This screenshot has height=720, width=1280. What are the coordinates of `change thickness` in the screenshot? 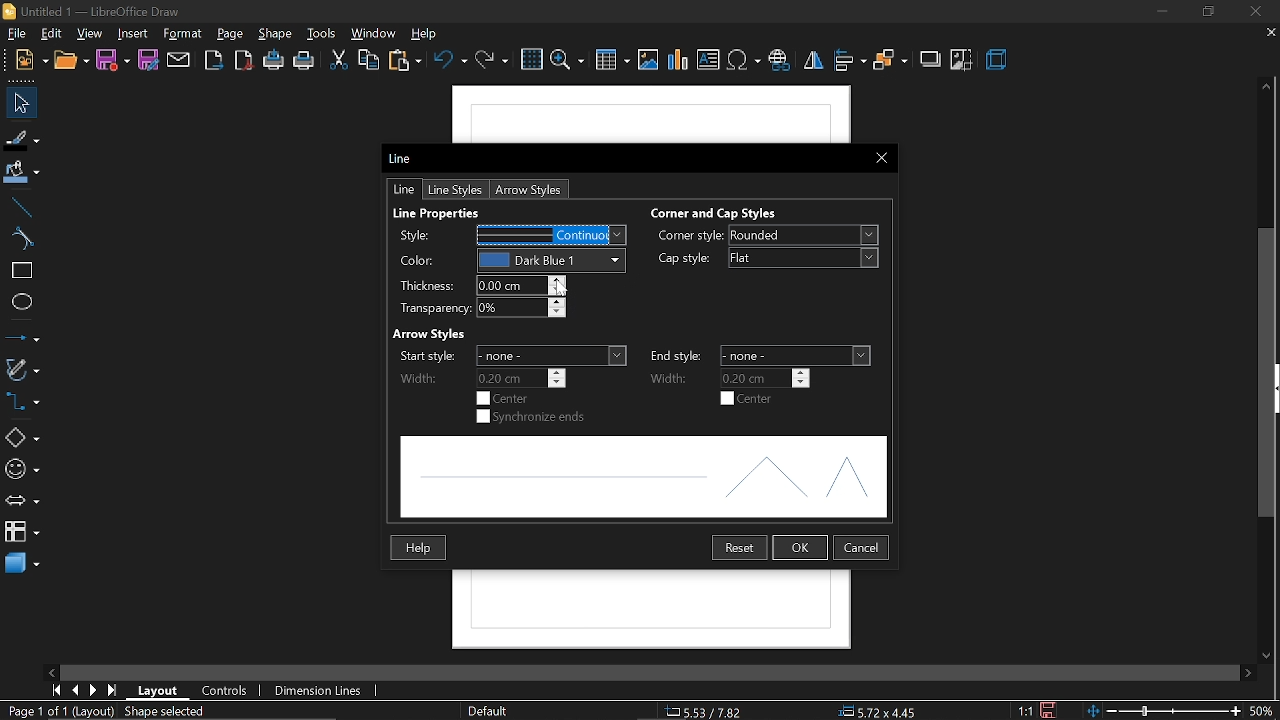 It's located at (522, 285).